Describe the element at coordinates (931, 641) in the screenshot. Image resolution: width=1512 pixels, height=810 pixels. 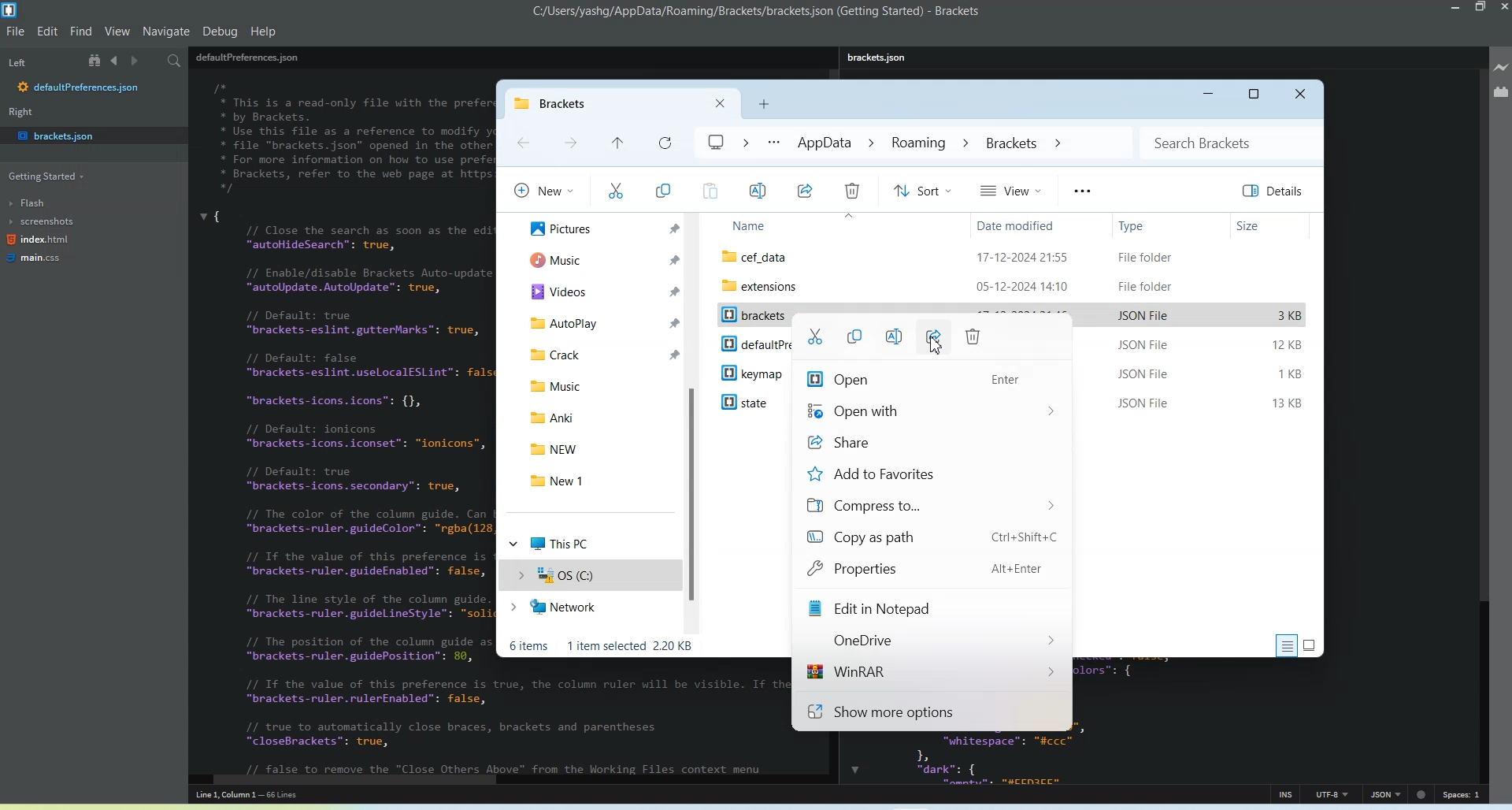
I see `One Drive` at that location.